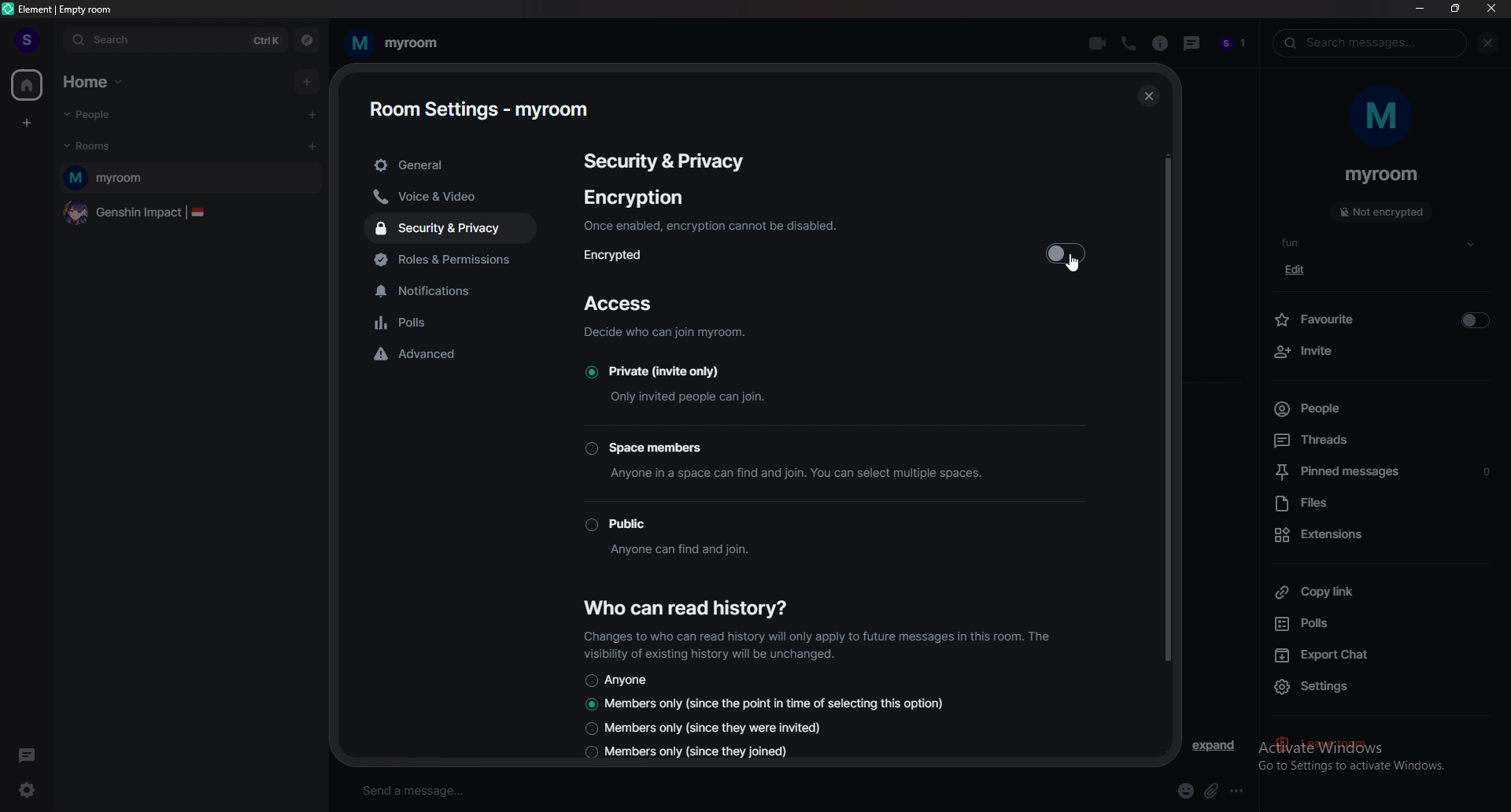 This screenshot has width=1511, height=812. What do you see at coordinates (192, 179) in the screenshot?
I see `myroom` at bounding box center [192, 179].